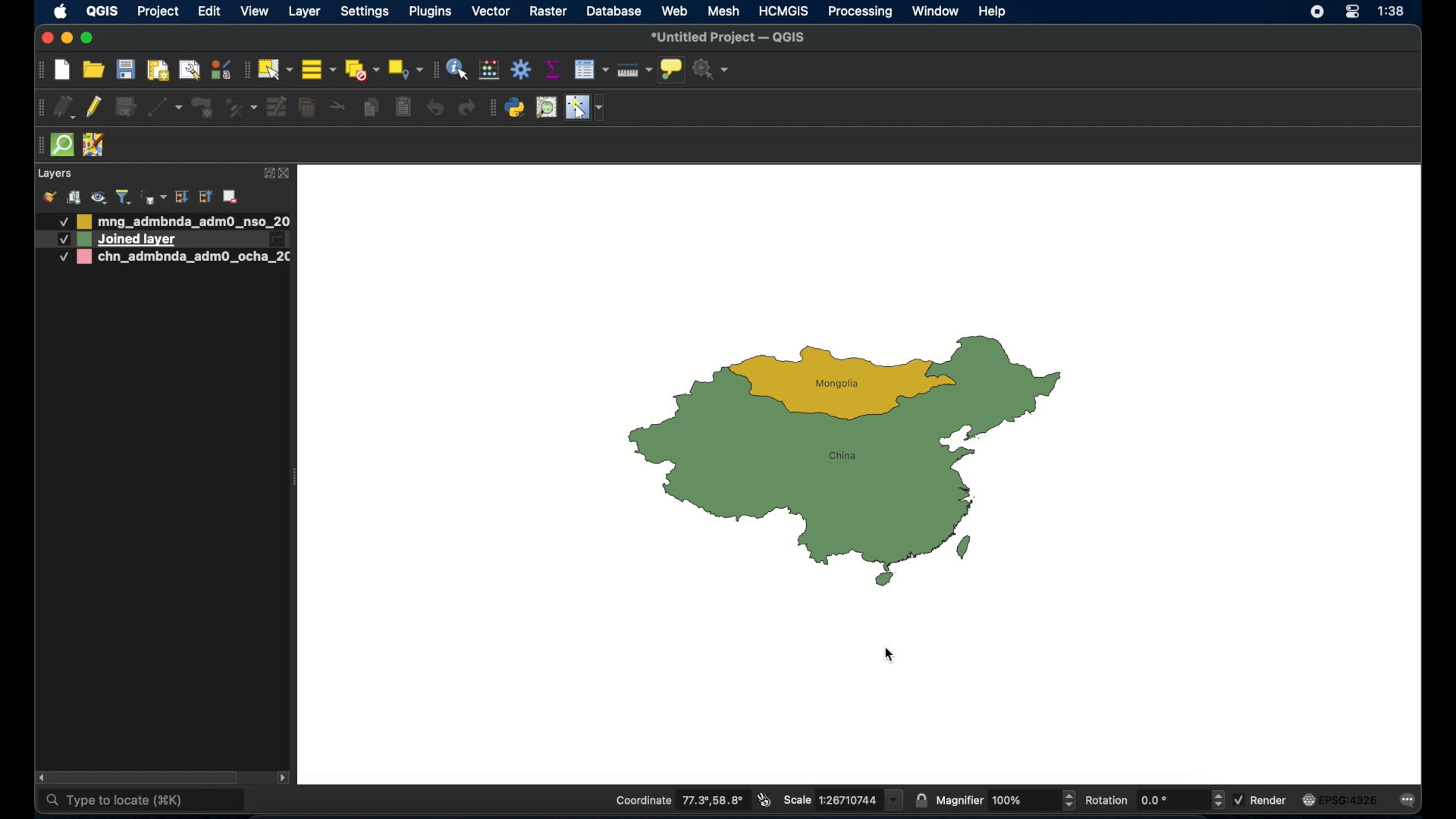  What do you see at coordinates (492, 108) in the screenshot?
I see `plugins toolbar` at bounding box center [492, 108].